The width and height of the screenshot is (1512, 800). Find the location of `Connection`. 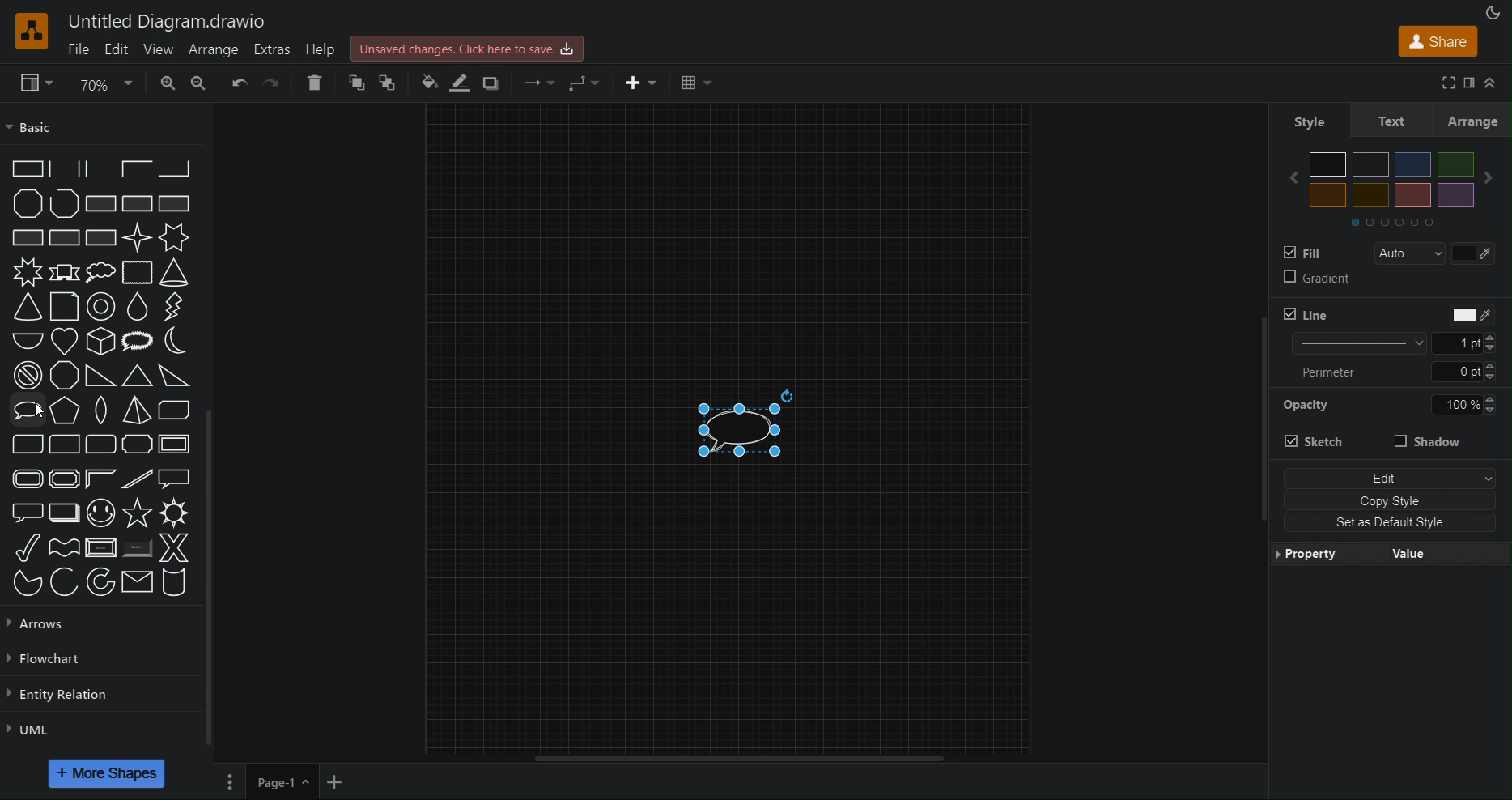

Connection is located at coordinates (533, 84).